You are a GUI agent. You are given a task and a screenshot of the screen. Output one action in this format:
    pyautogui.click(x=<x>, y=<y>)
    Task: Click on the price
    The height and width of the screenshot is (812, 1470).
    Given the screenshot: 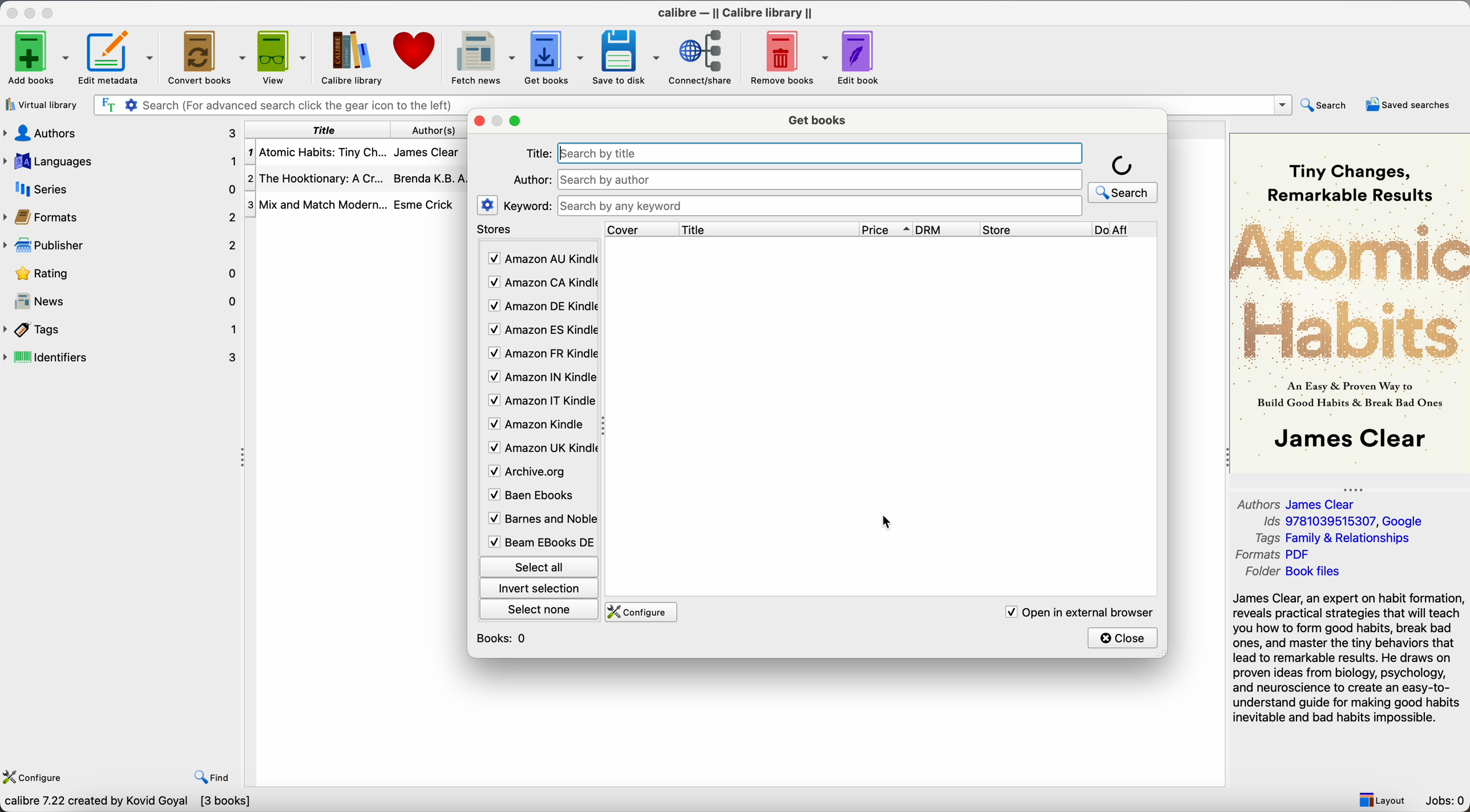 What is the action you would take?
    pyautogui.click(x=887, y=230)
    